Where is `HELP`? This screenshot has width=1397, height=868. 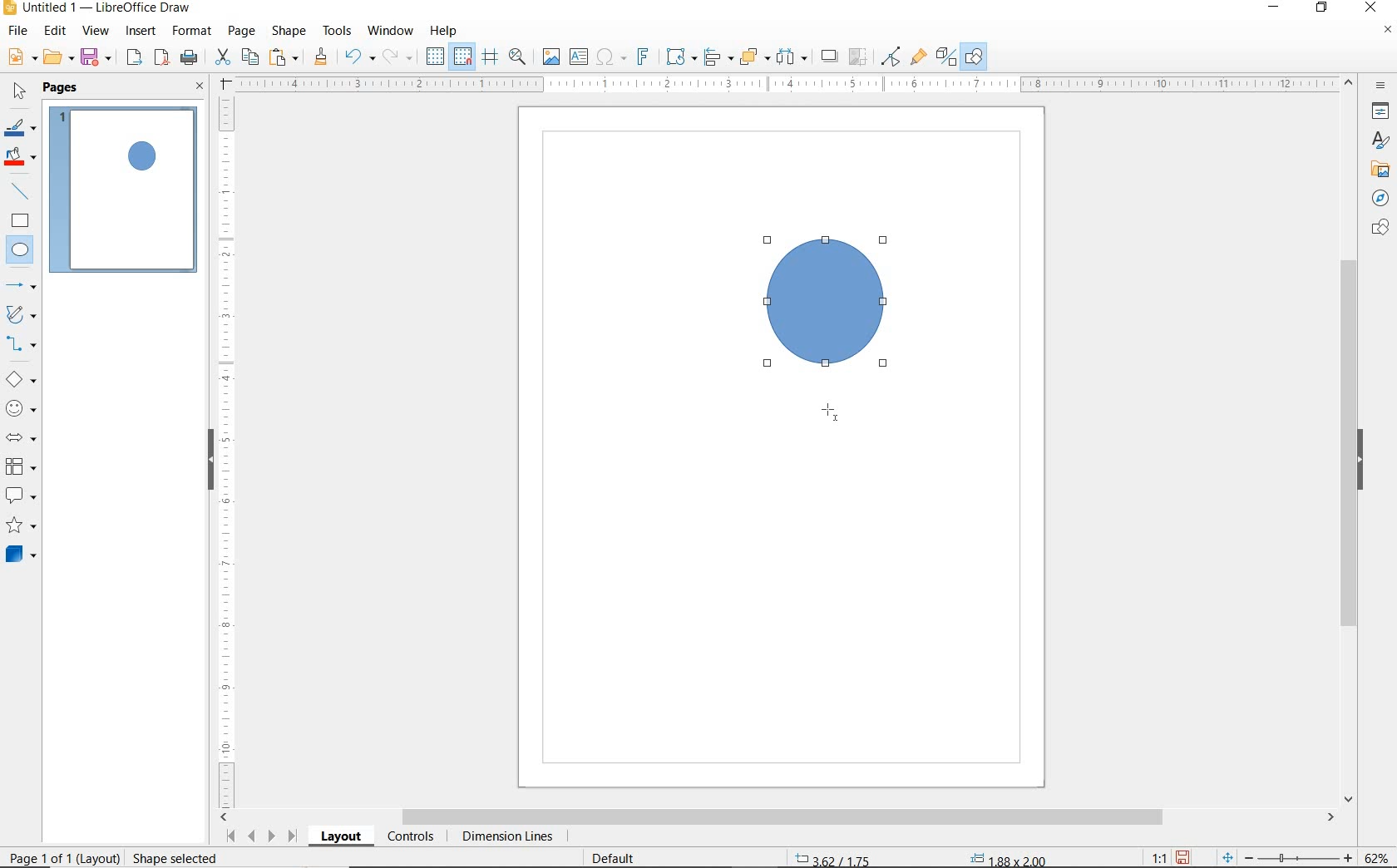
HELP is located at coordinates (444, 31).